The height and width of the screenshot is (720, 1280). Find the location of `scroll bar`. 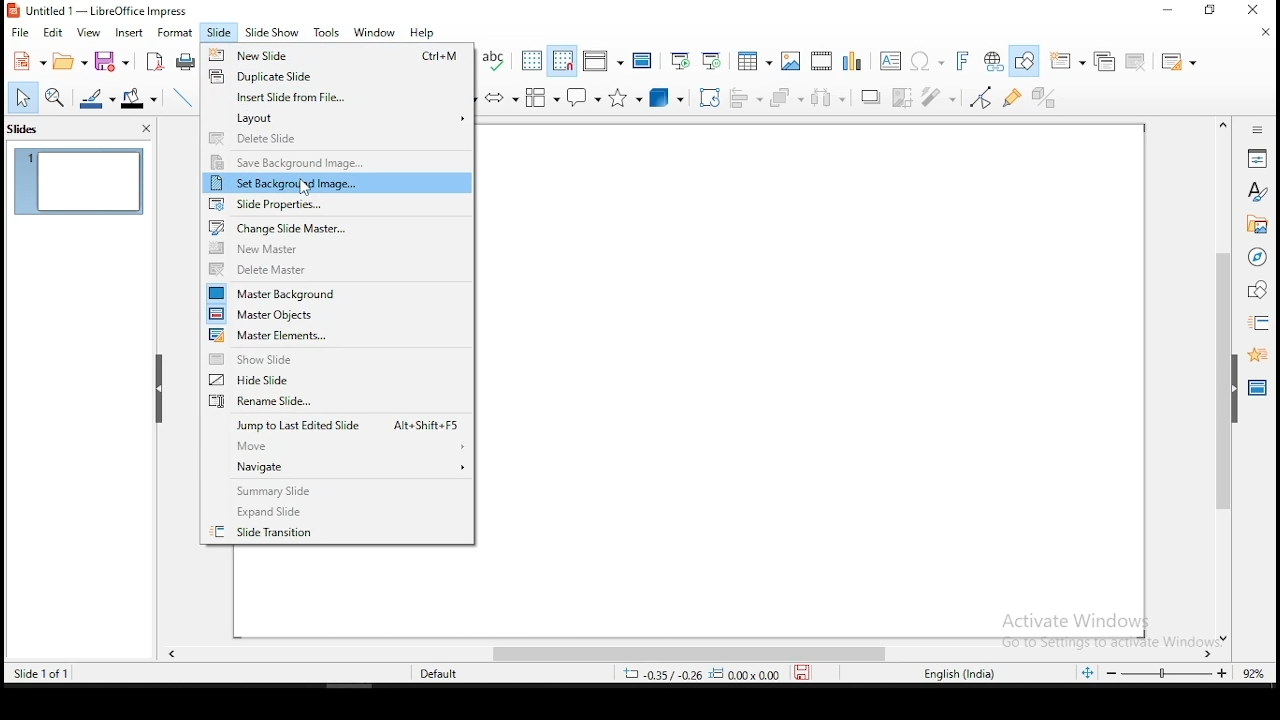

scroll bar is located at coordinates (1223, 378).